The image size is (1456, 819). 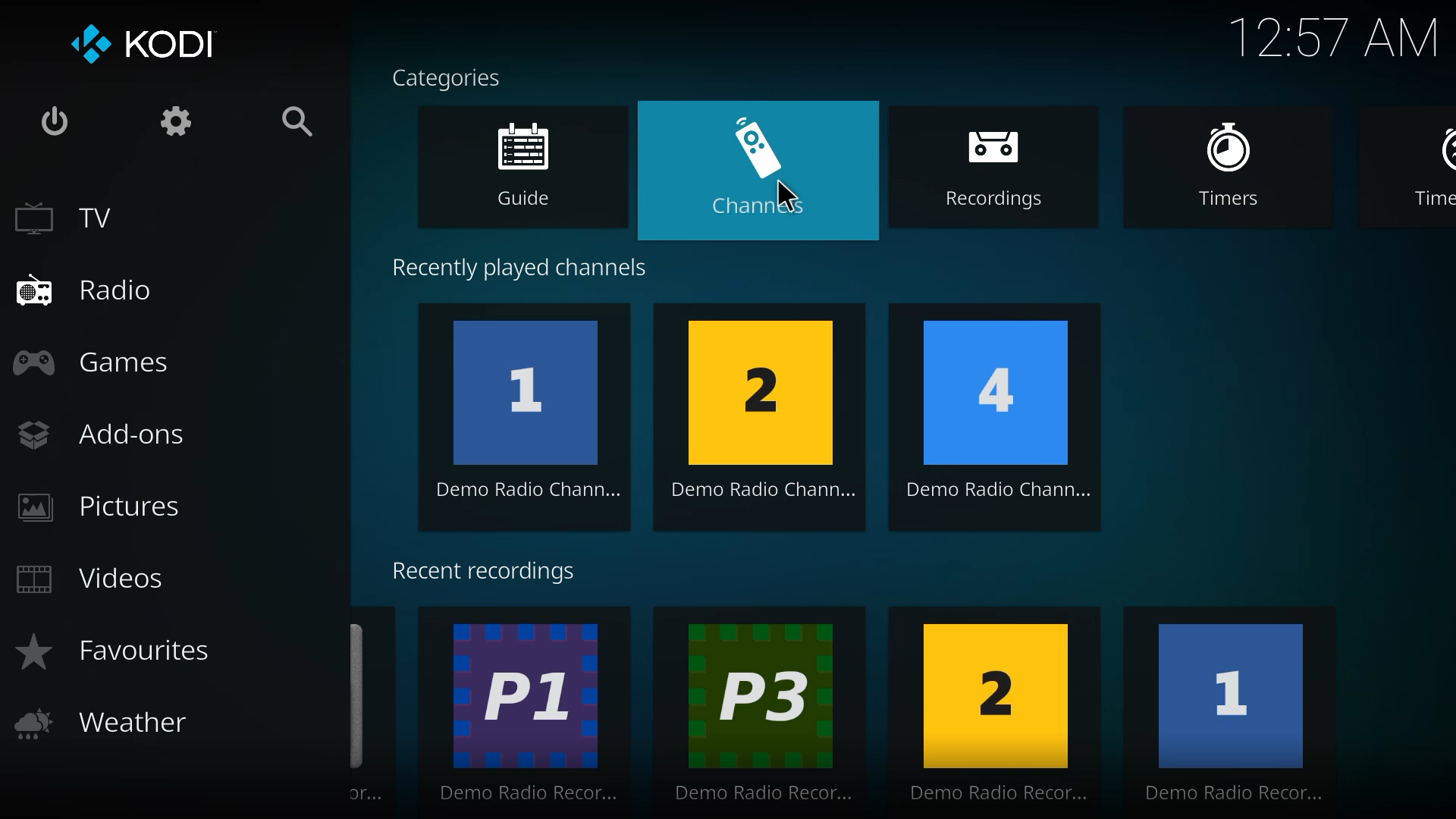 I want to click on weather, so click(x=105, y=724).